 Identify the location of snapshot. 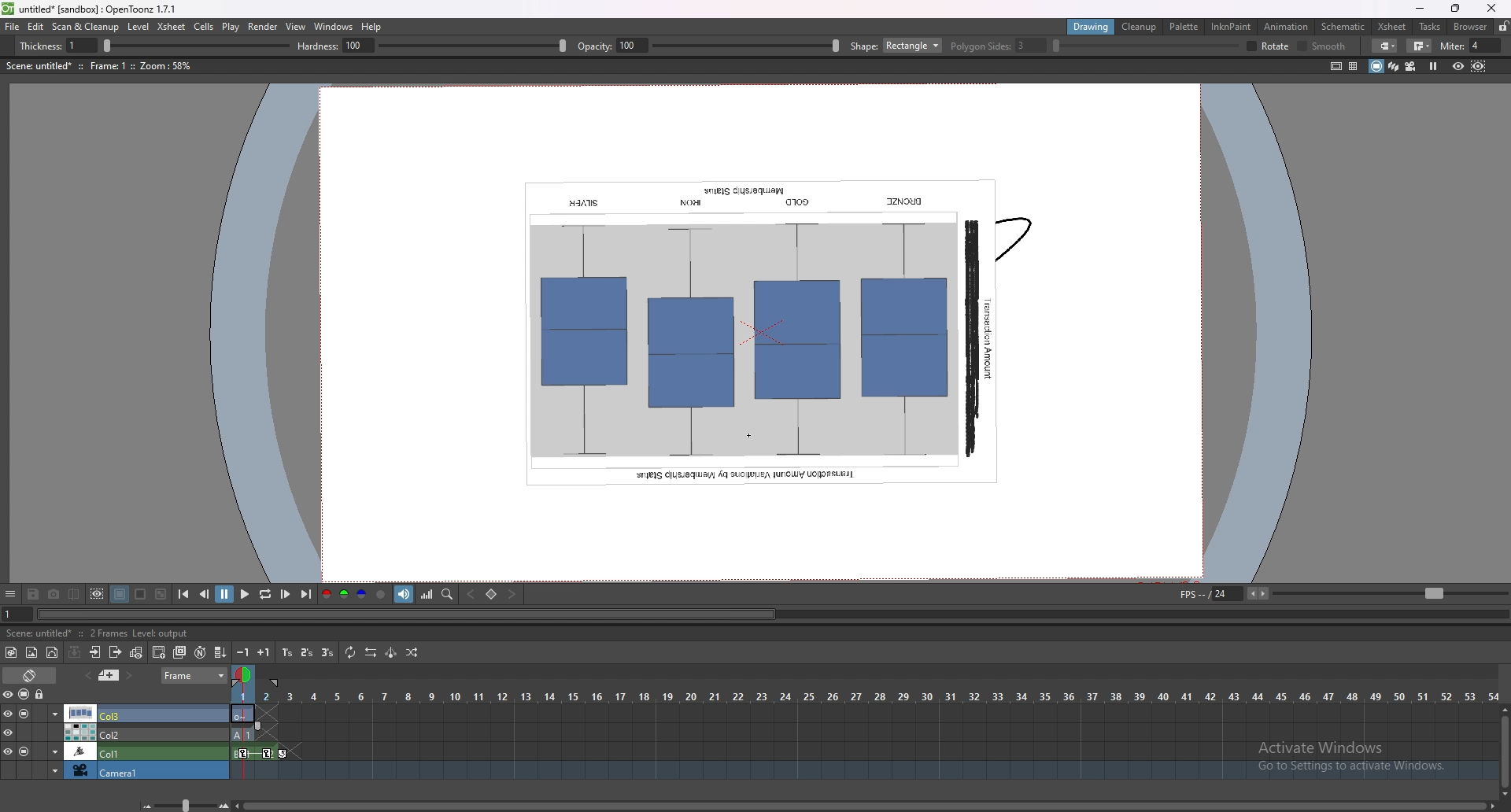
(54, 595).